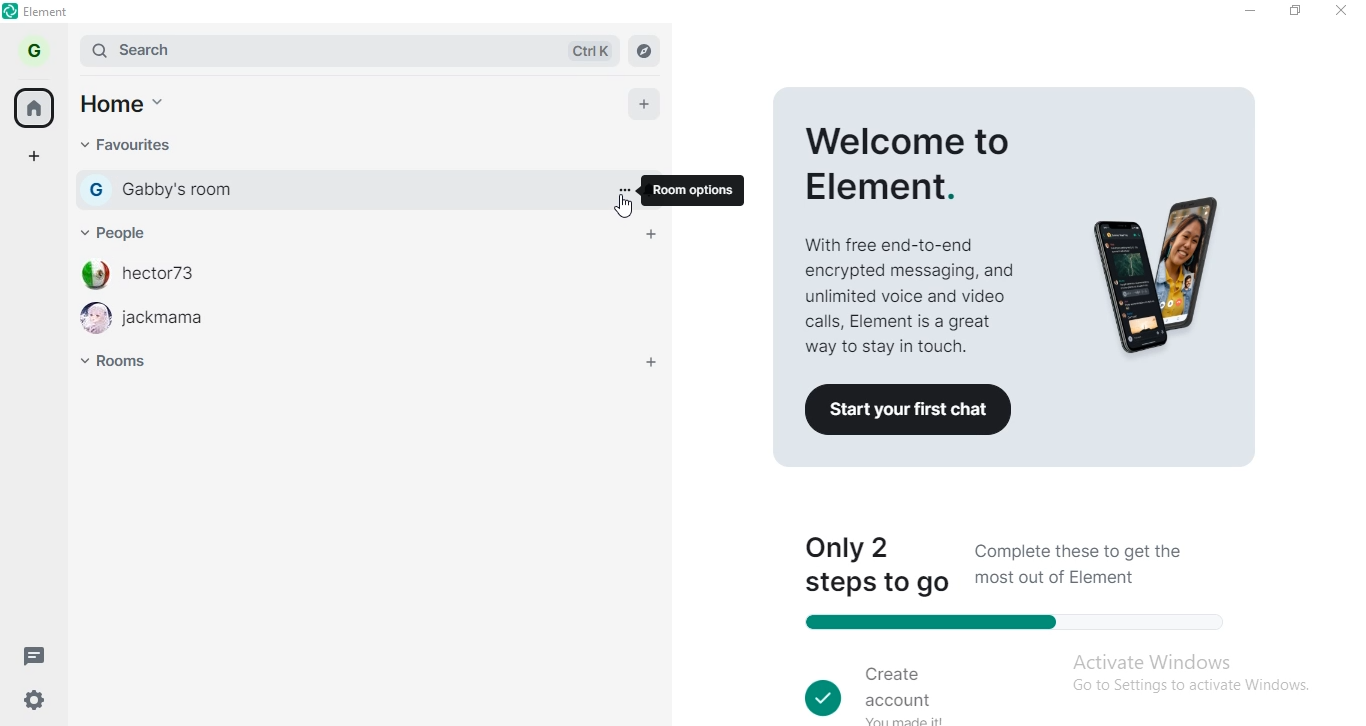  Describe the element at coordinates (37, 108) in the screenshot. I see `home` at that location.